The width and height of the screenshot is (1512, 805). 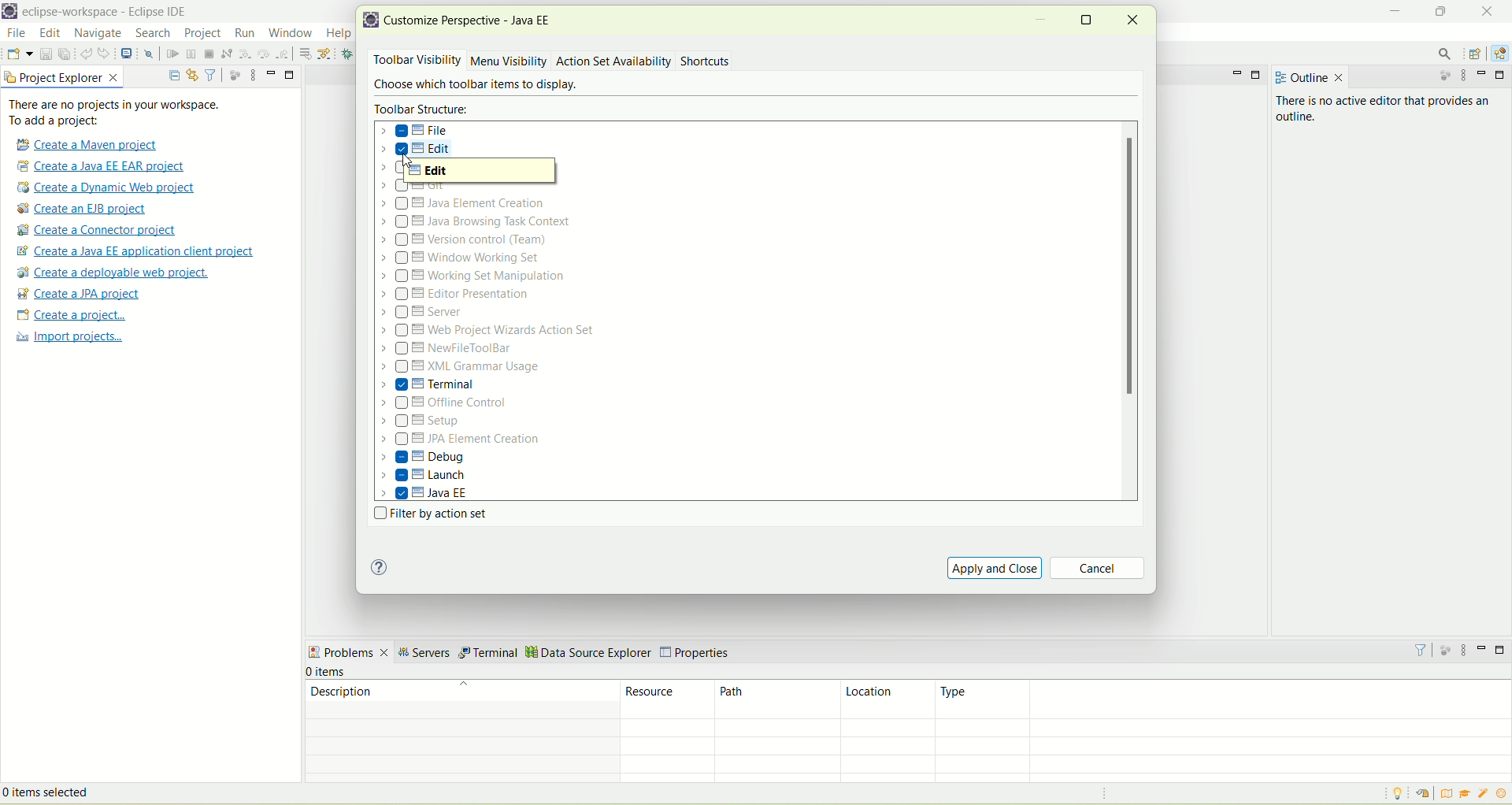 What do you see at coordinates (109, 187) in the screenshot?
I see `create a dynamic web project` at bounding box center [109, 187].